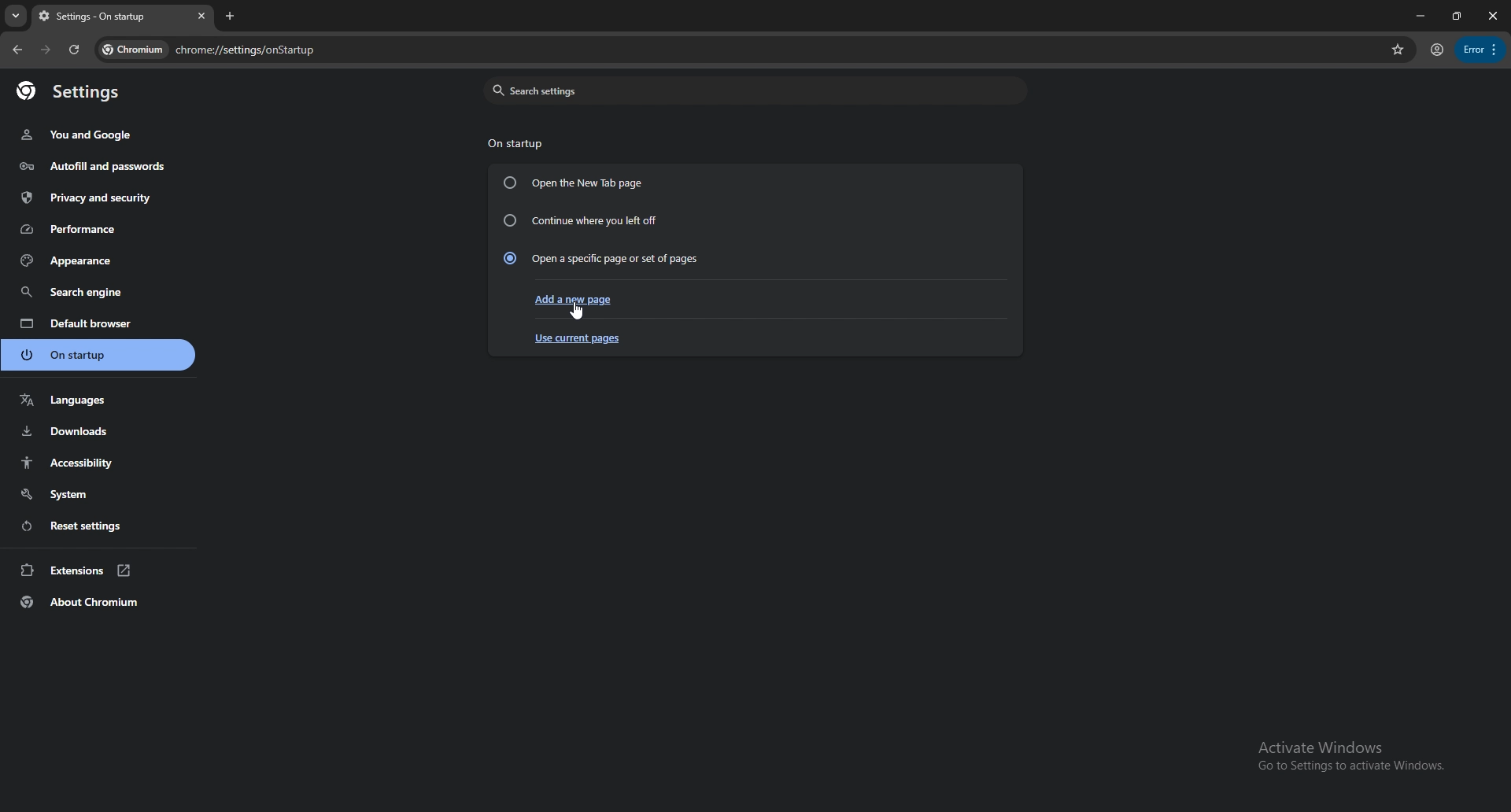 This screenshot has width=1511, height=812. What do you see at coordinates (74, 50) in the screenshot?
I see `refresh` at bounding box center [74, 50].